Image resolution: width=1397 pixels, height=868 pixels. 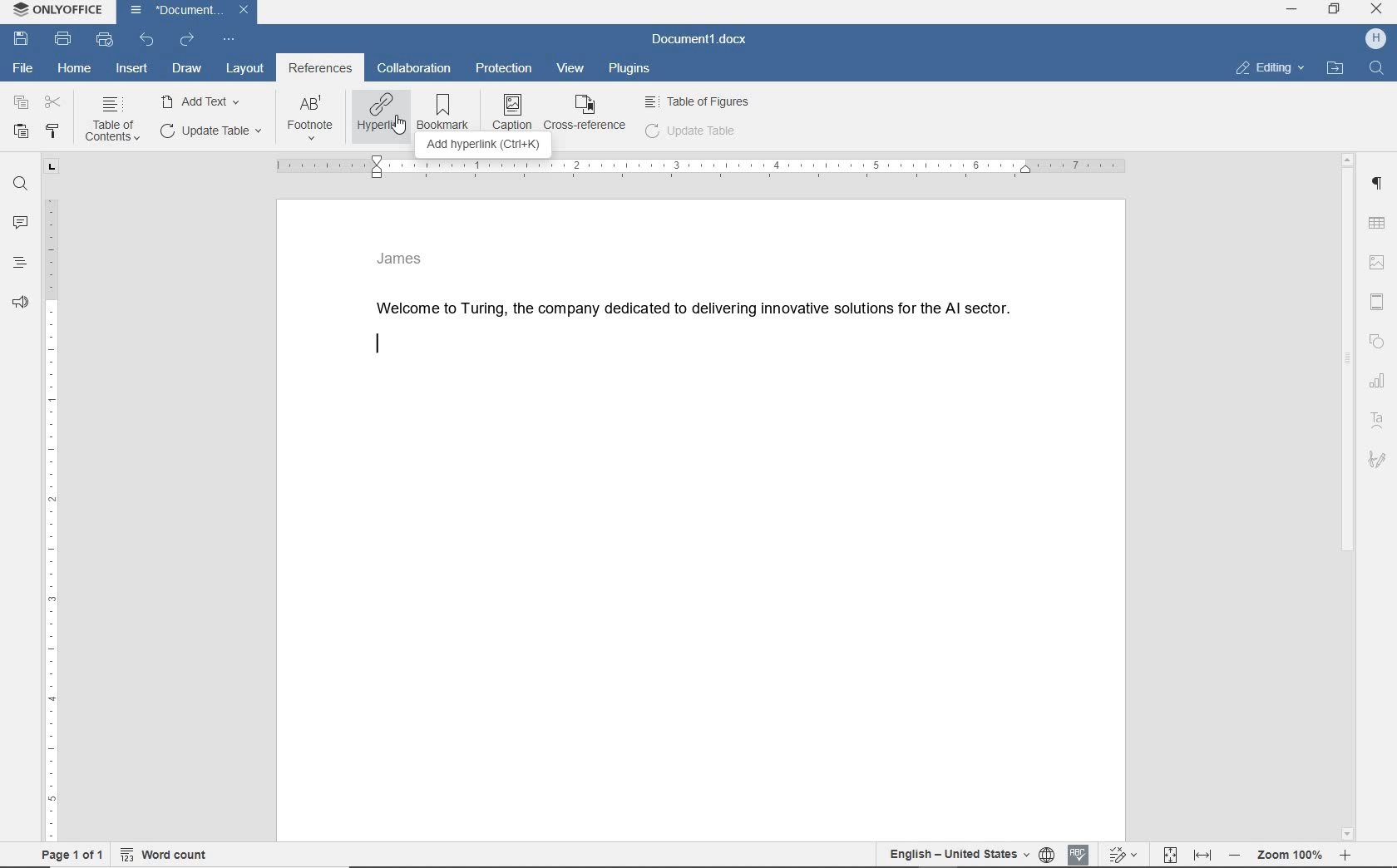 I want to click on undo, so click(x=147, y=41).